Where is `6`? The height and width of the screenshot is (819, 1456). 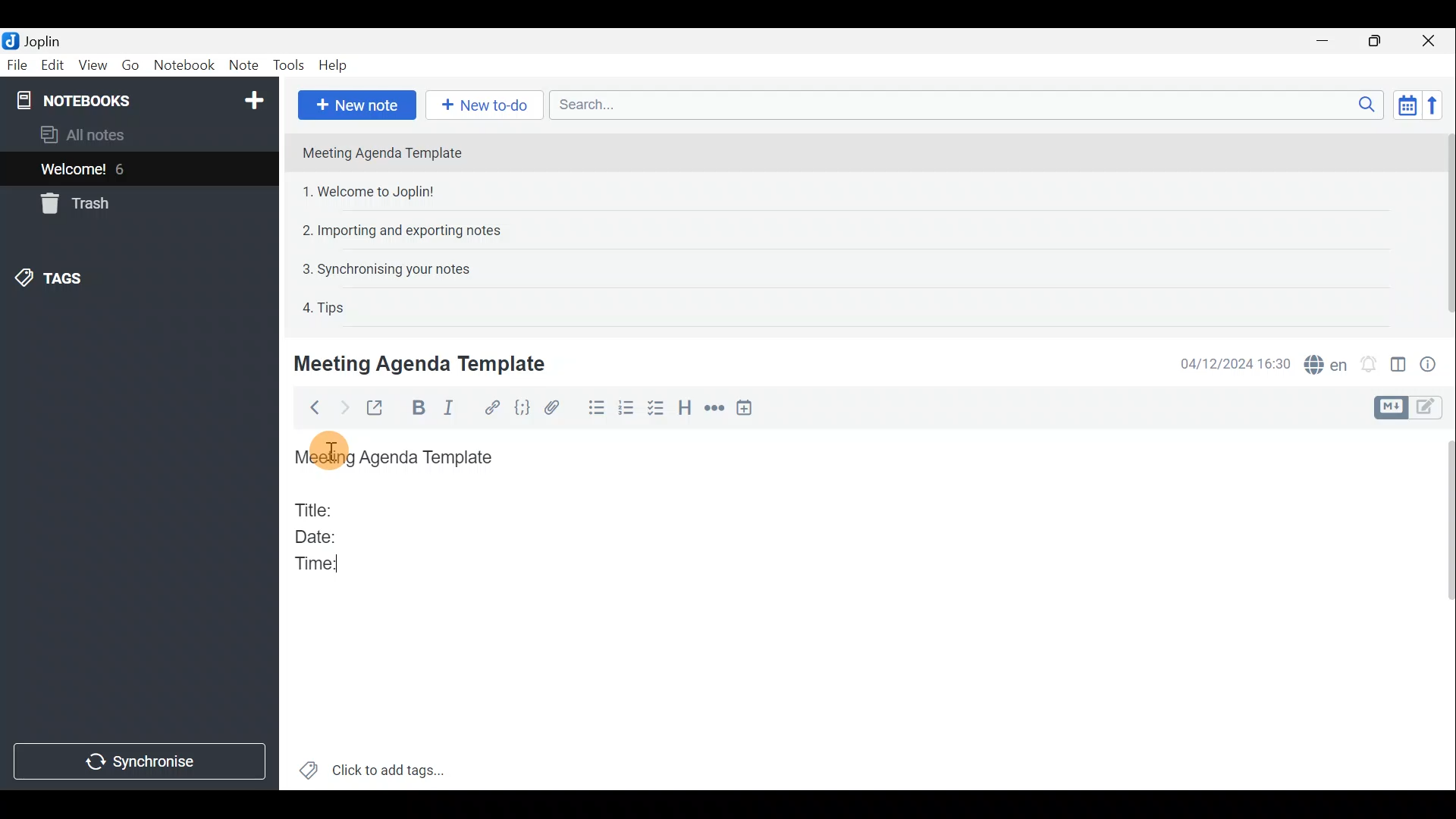 6 is located at coordinates (124, 169).